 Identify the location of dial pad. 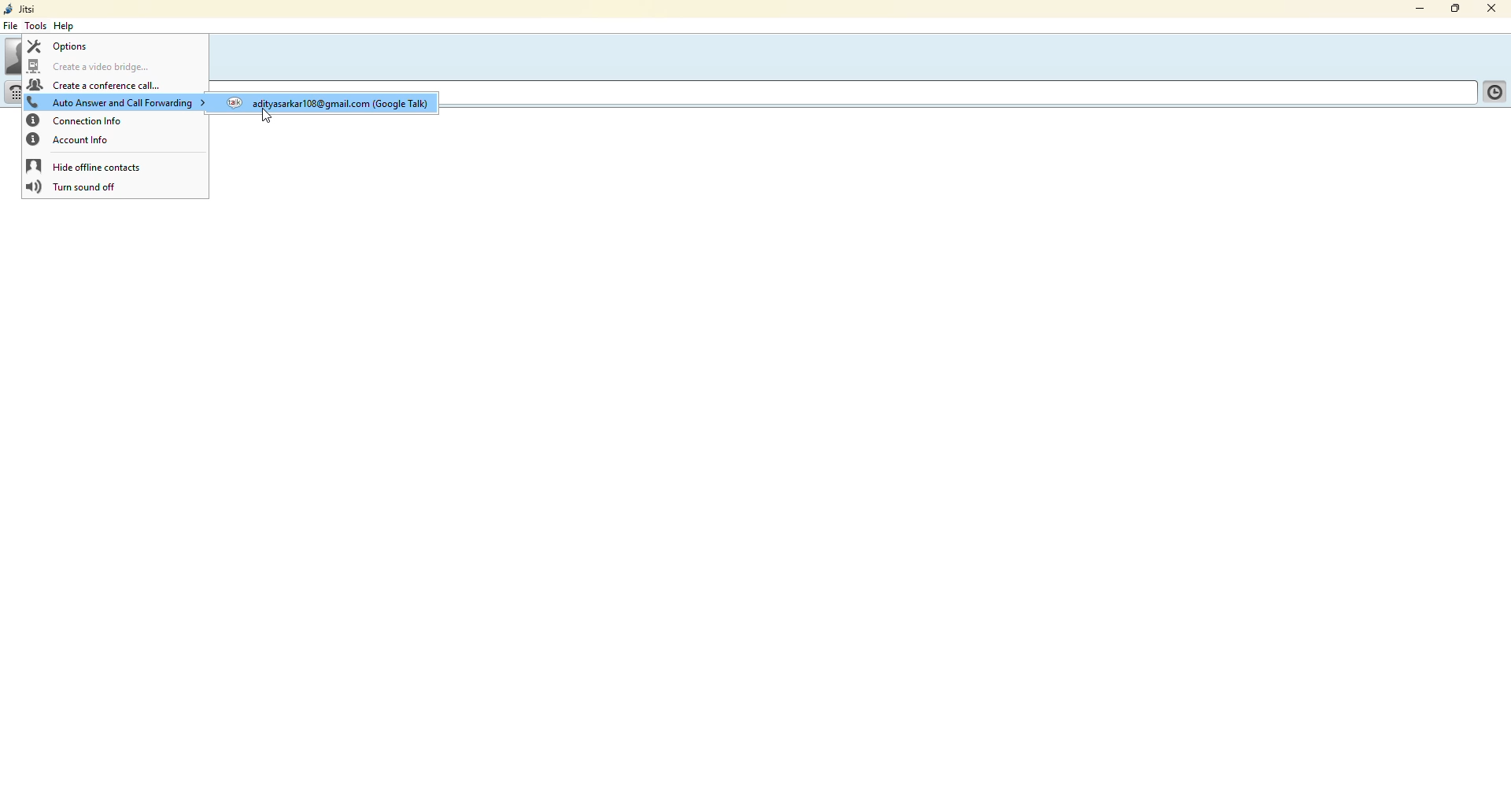
(17, 93).